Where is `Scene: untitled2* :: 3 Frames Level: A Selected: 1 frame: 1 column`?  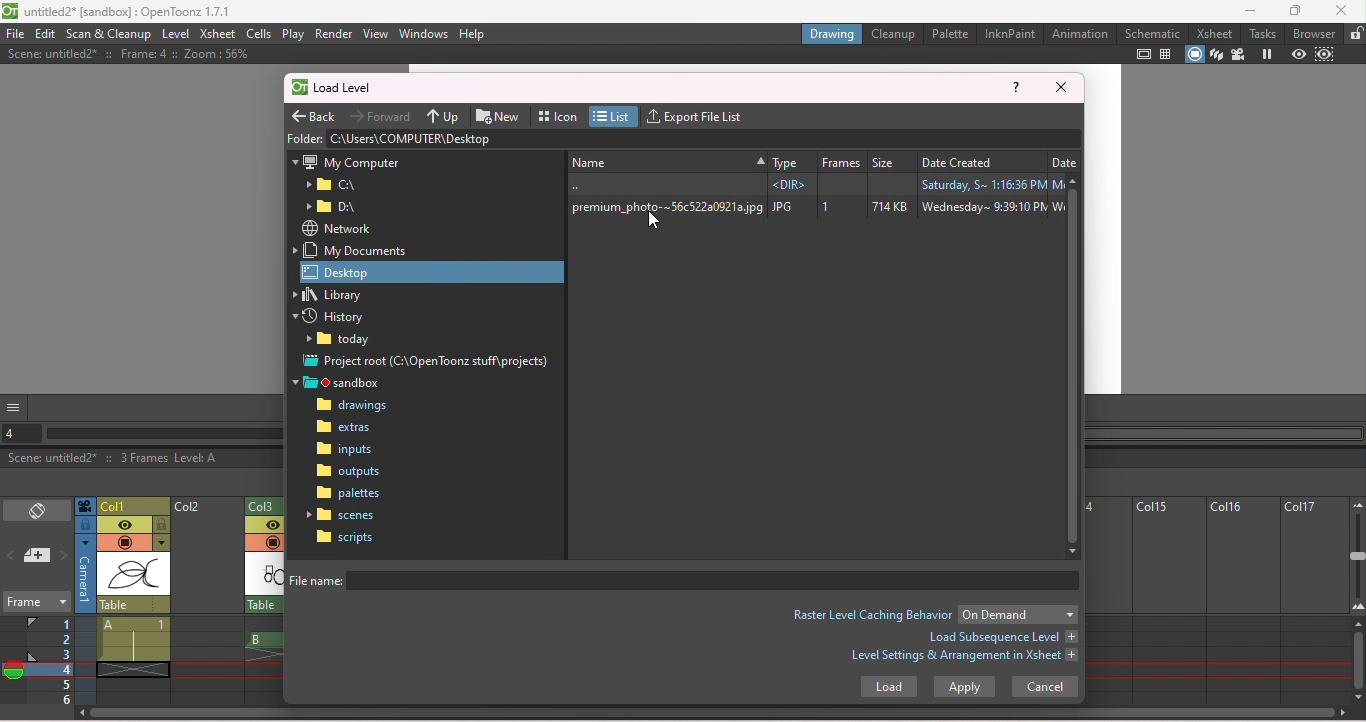 Scene: untitled2* :: 3 Frames Level: A Selected: 1 frame: 1 column is located at coordinates (142, 459).